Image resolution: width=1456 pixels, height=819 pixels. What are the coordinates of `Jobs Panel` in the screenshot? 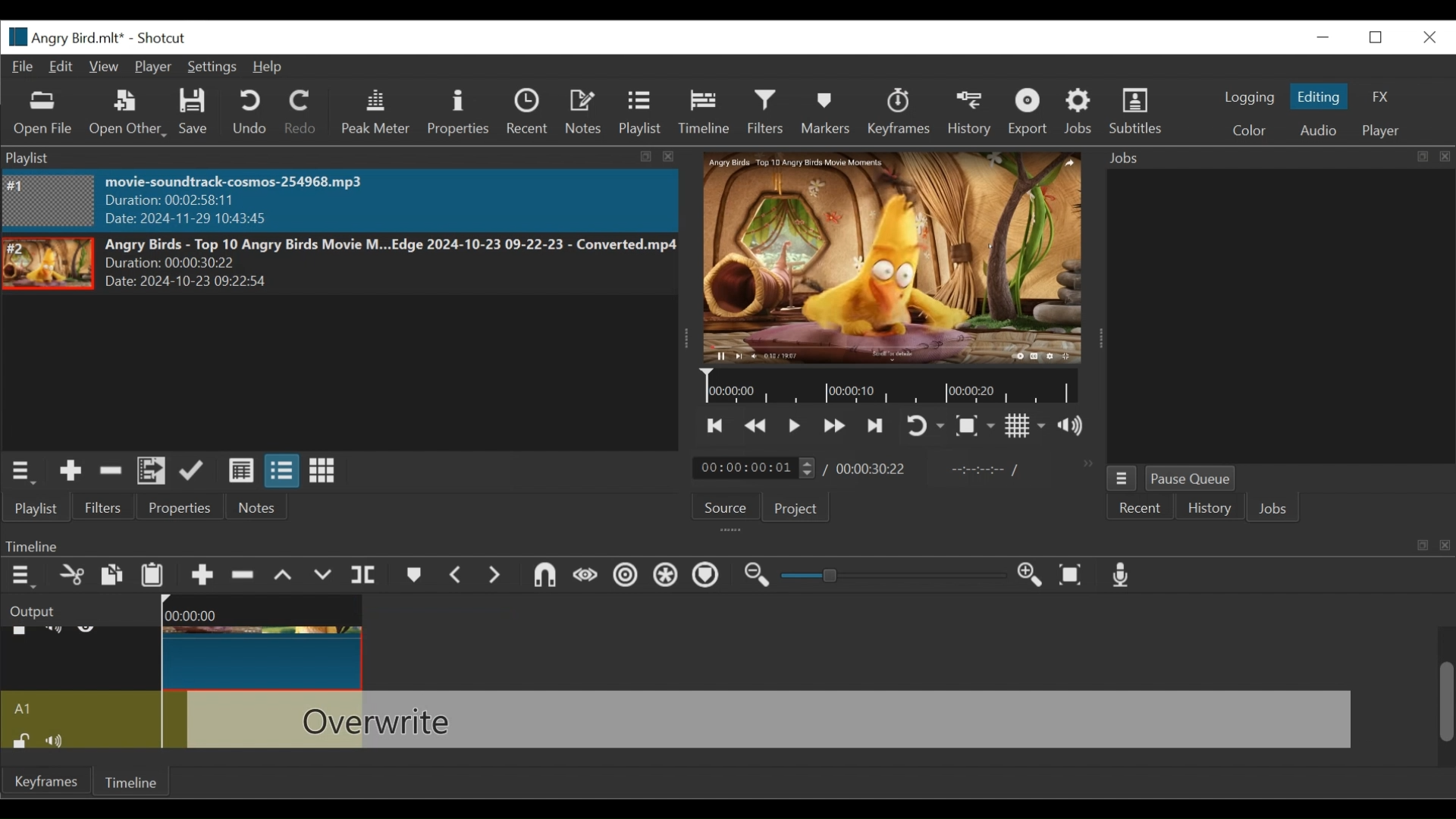 It's located at (1272, 158).